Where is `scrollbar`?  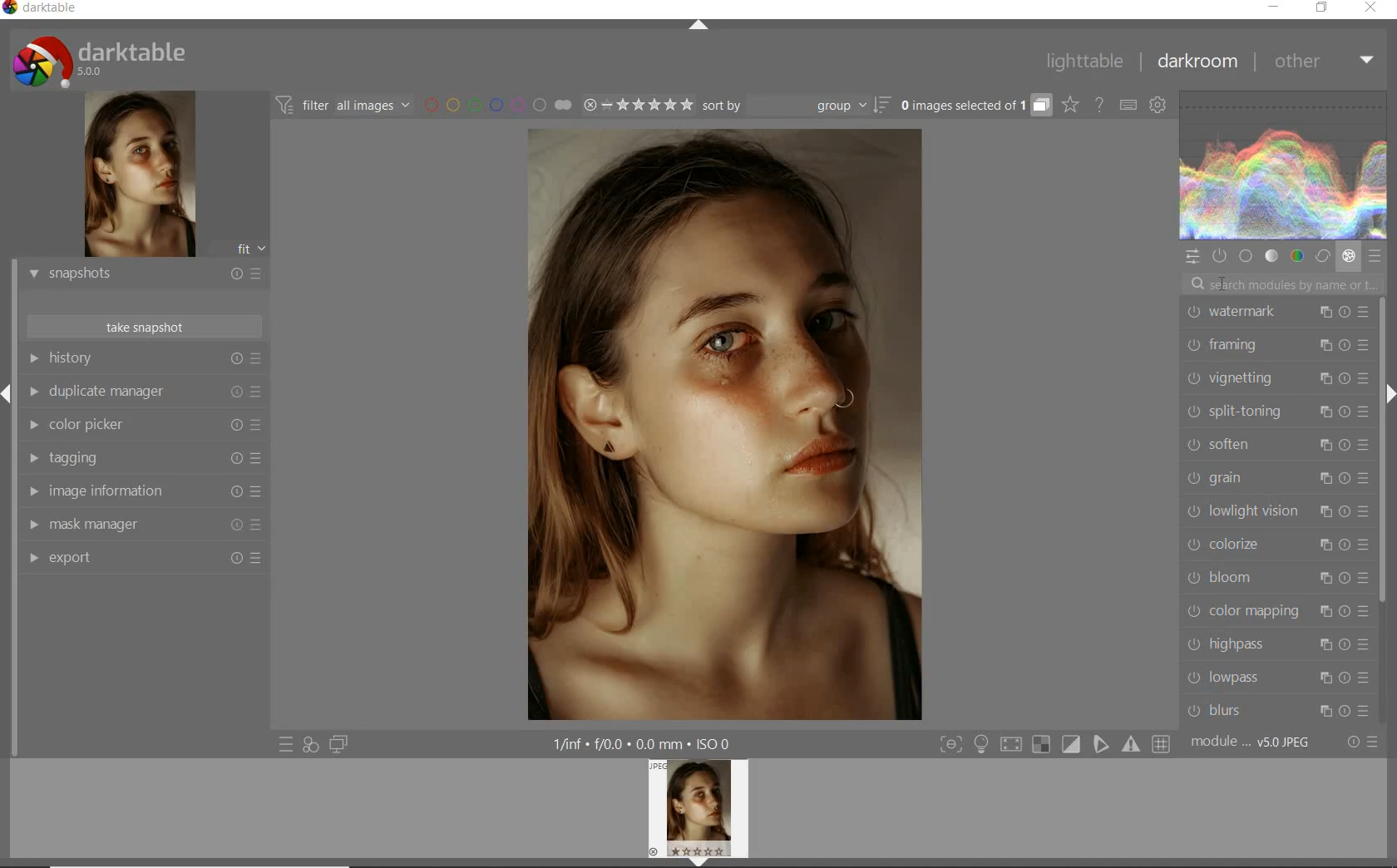
scrollbar is located at coordinates (1382, 452).